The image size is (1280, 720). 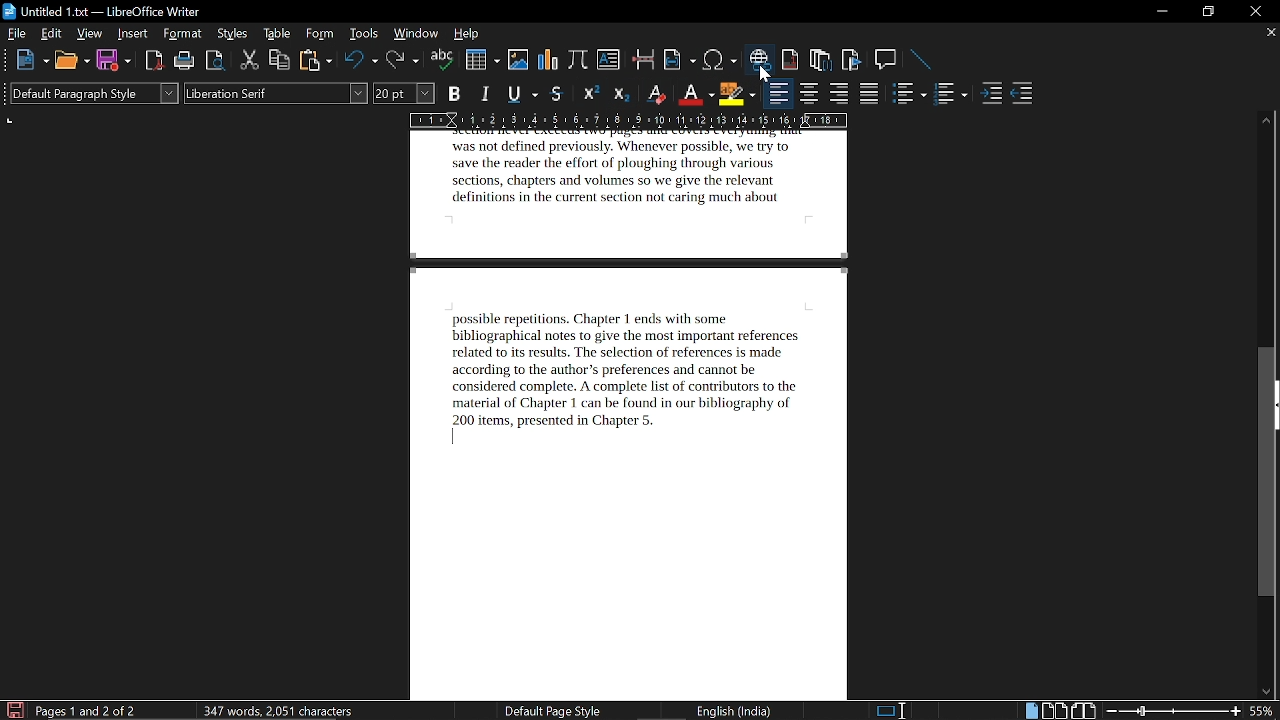 I want to click on copy, so click(x=280, y=61).